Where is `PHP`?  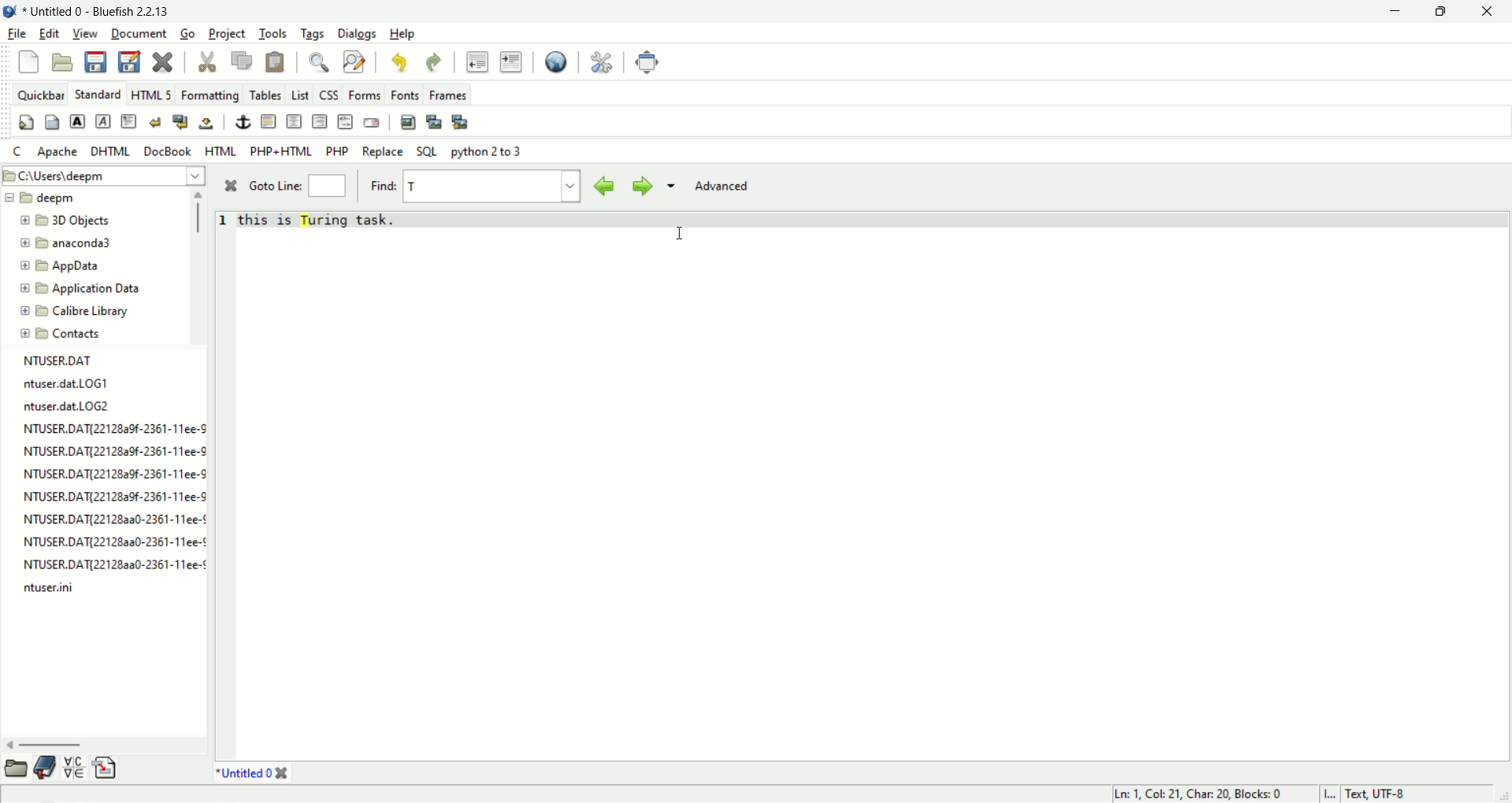
PHP is located at coordinates (339, 151).